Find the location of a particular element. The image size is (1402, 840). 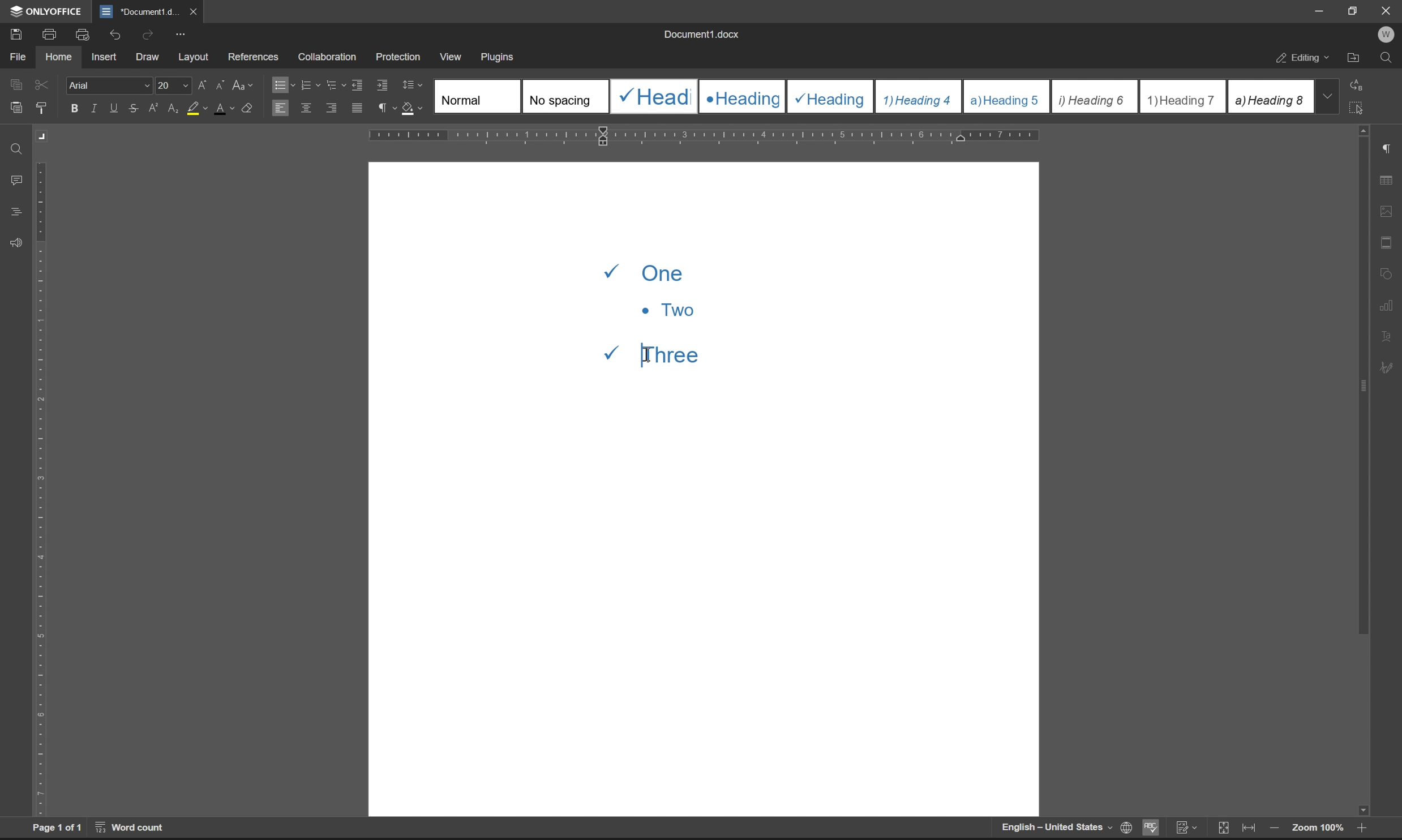

Heading 5 is located at coordinates (1007, 96).